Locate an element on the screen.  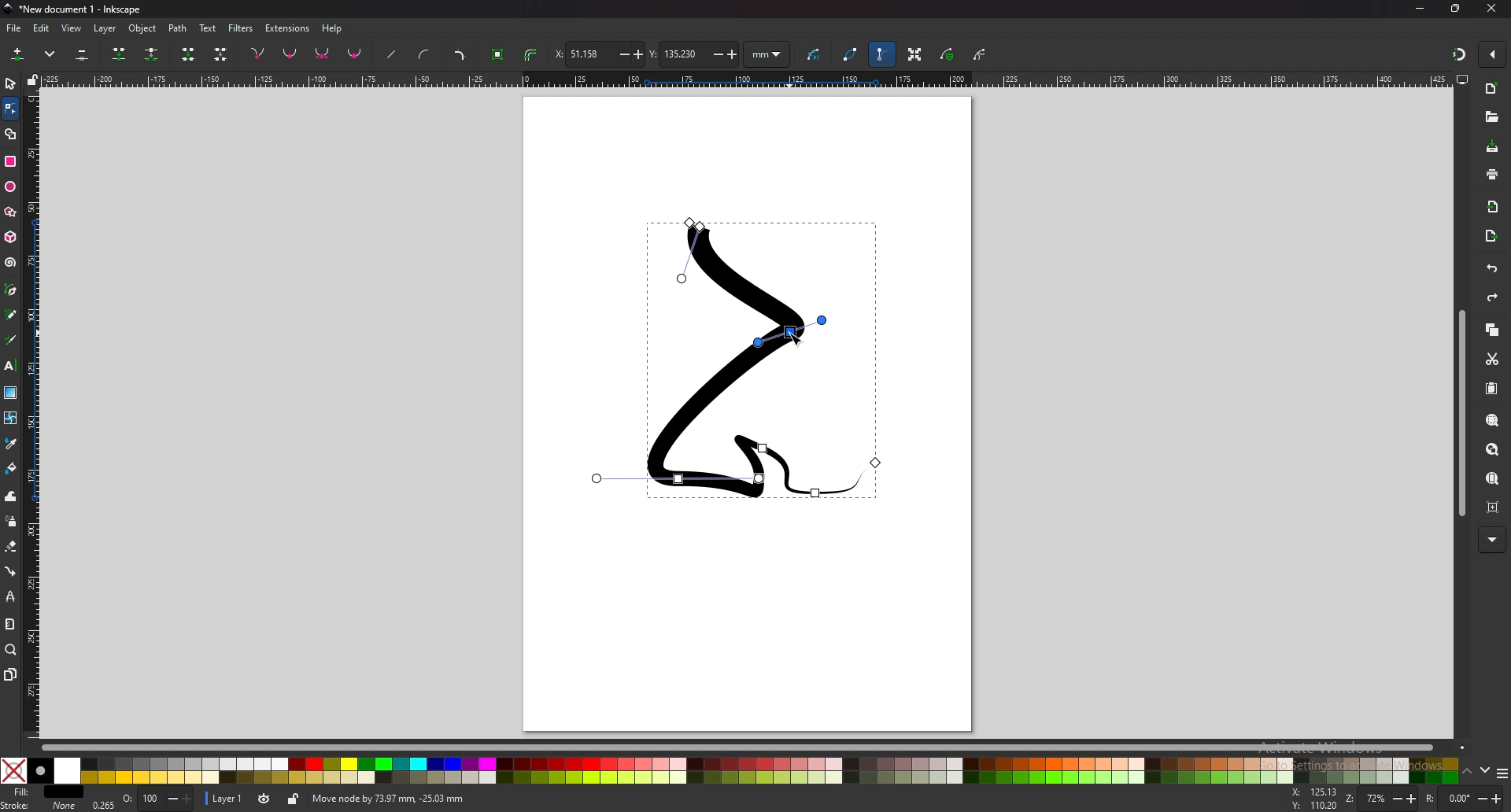
zoom center page is located at coordinates (1492, 507).